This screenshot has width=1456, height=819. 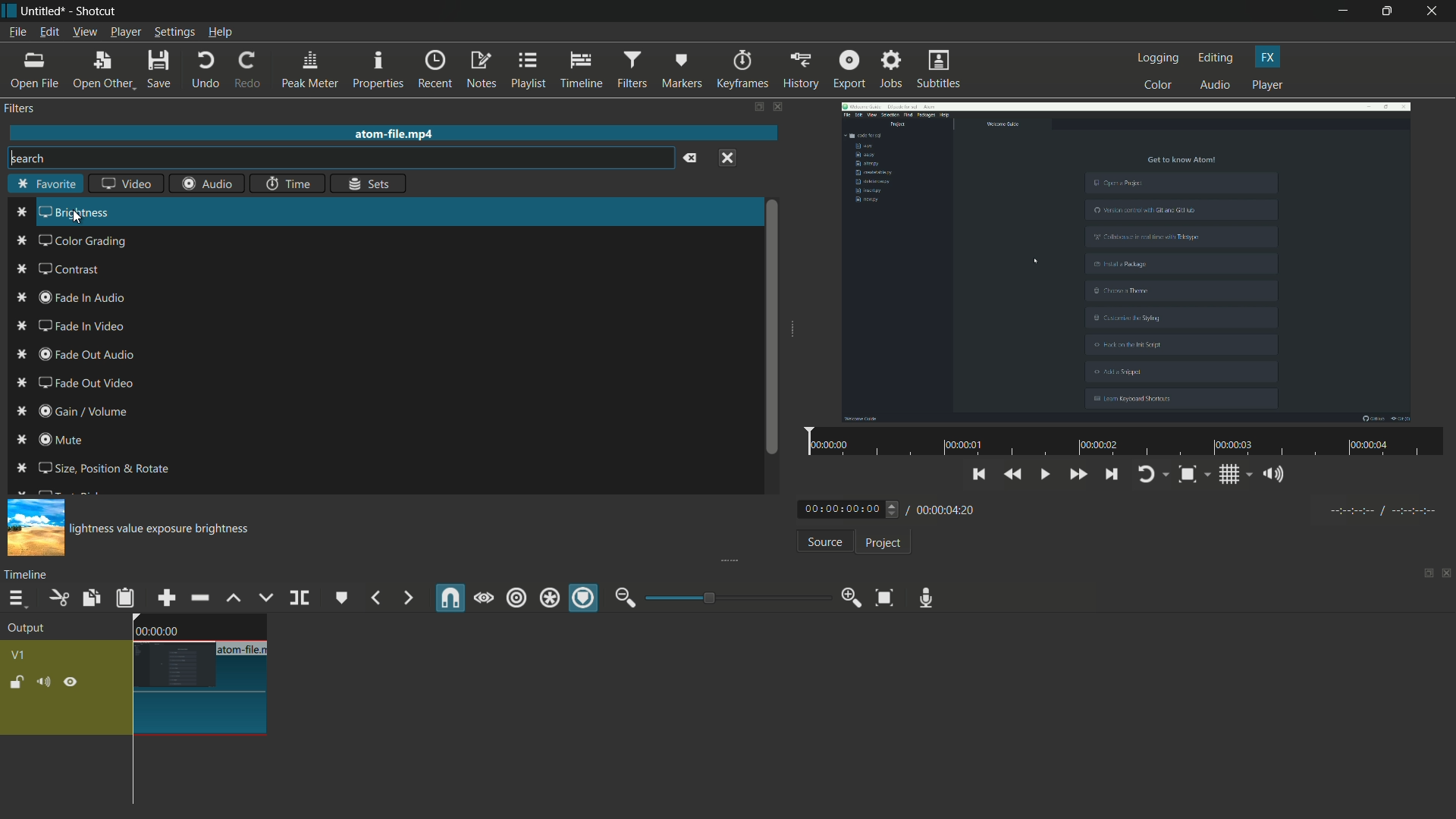 I want to click on filters, so click(x=631, y=70).